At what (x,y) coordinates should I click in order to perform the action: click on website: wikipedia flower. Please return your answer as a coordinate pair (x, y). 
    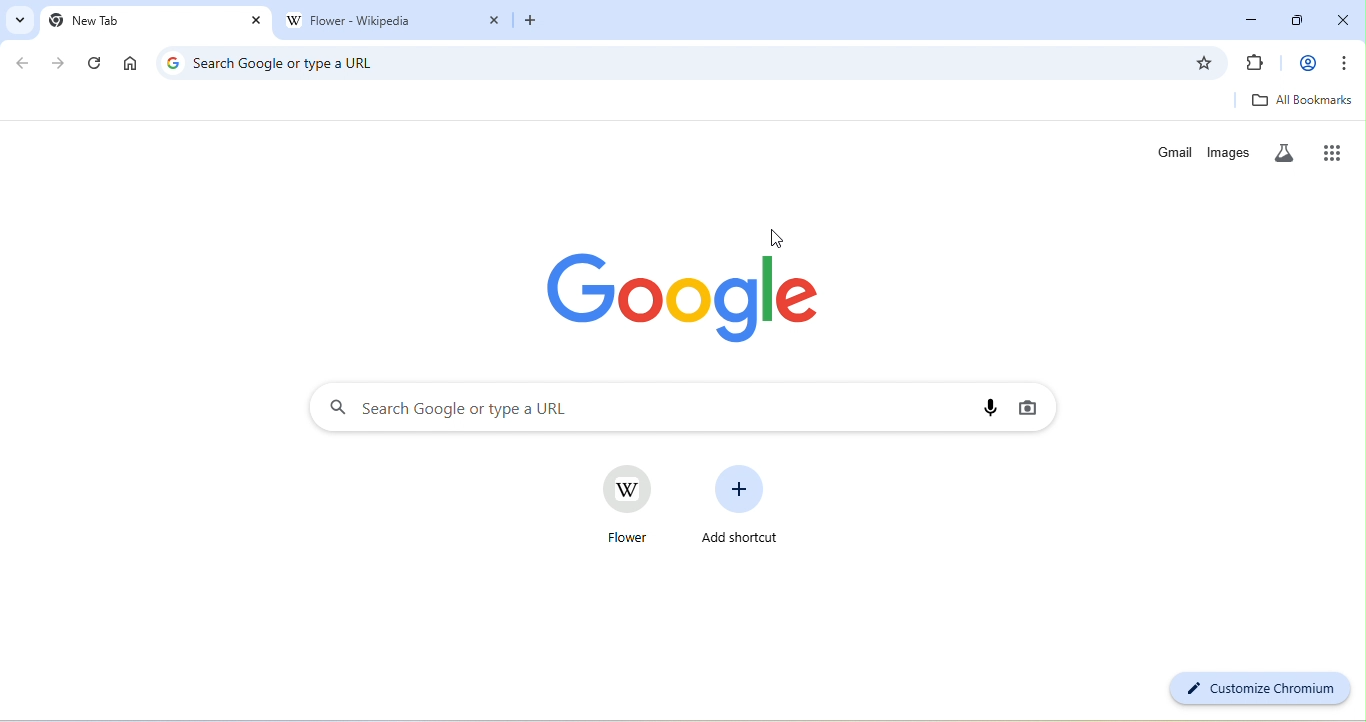
    Looking at the image, I should click on (622, 506).